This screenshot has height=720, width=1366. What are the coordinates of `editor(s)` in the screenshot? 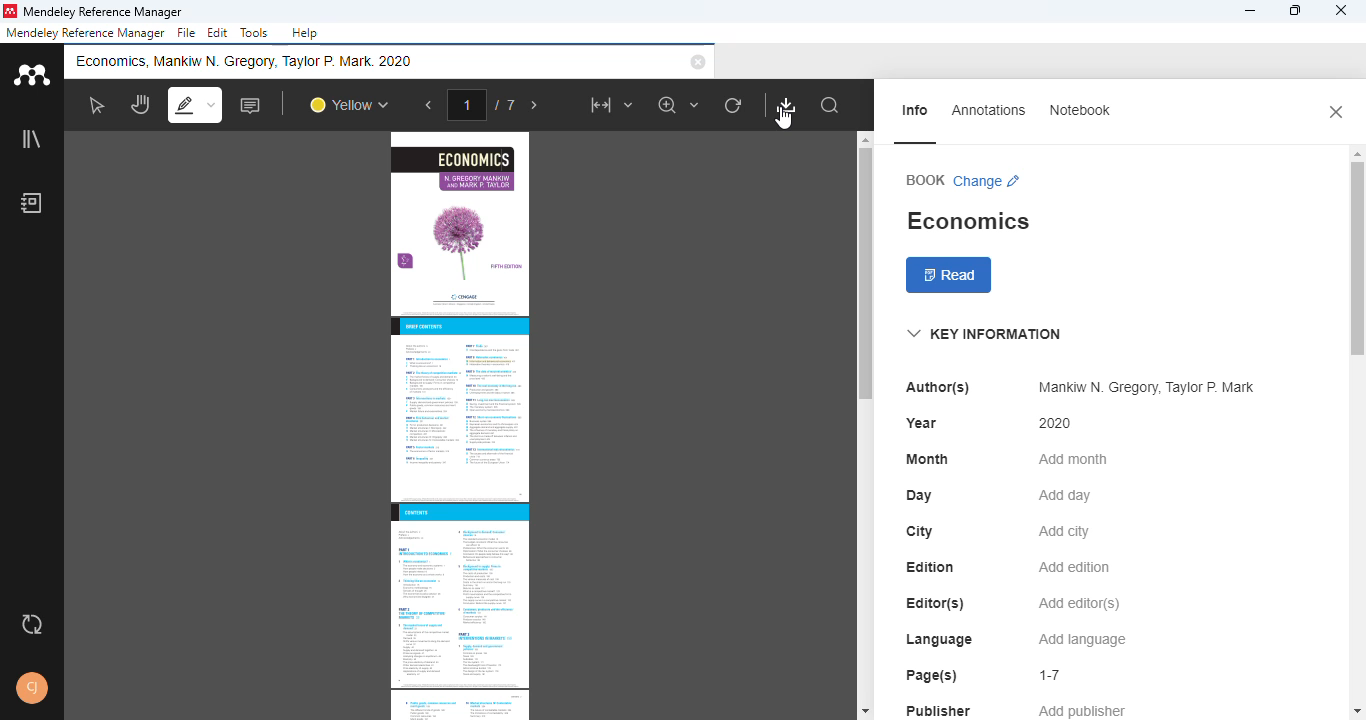 It's located at (936, 603).